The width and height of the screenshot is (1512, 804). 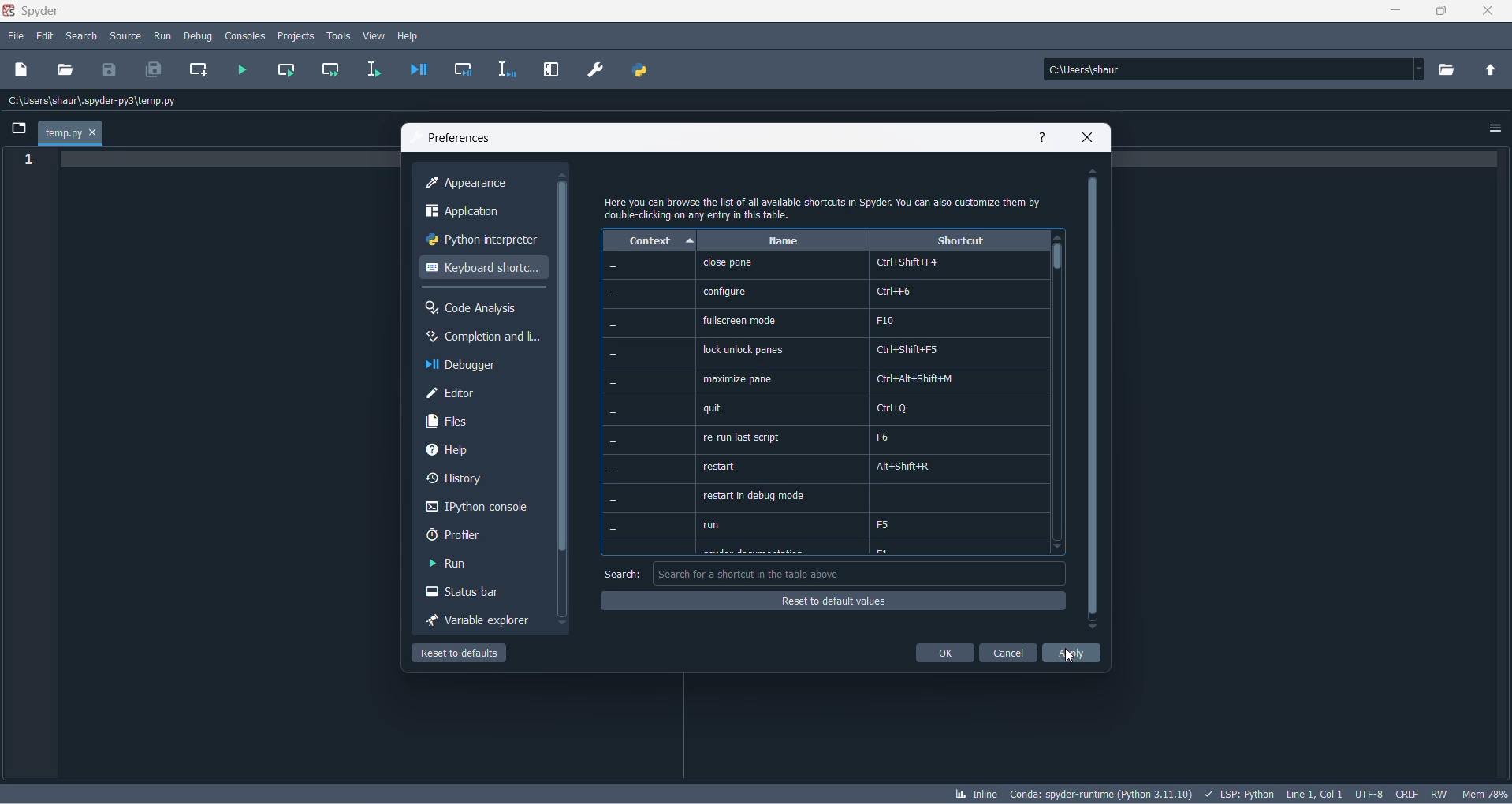 What do you see at coordinates (472, 535) in the screenshot?
I see `proflier` at bounding box center [472, 535].